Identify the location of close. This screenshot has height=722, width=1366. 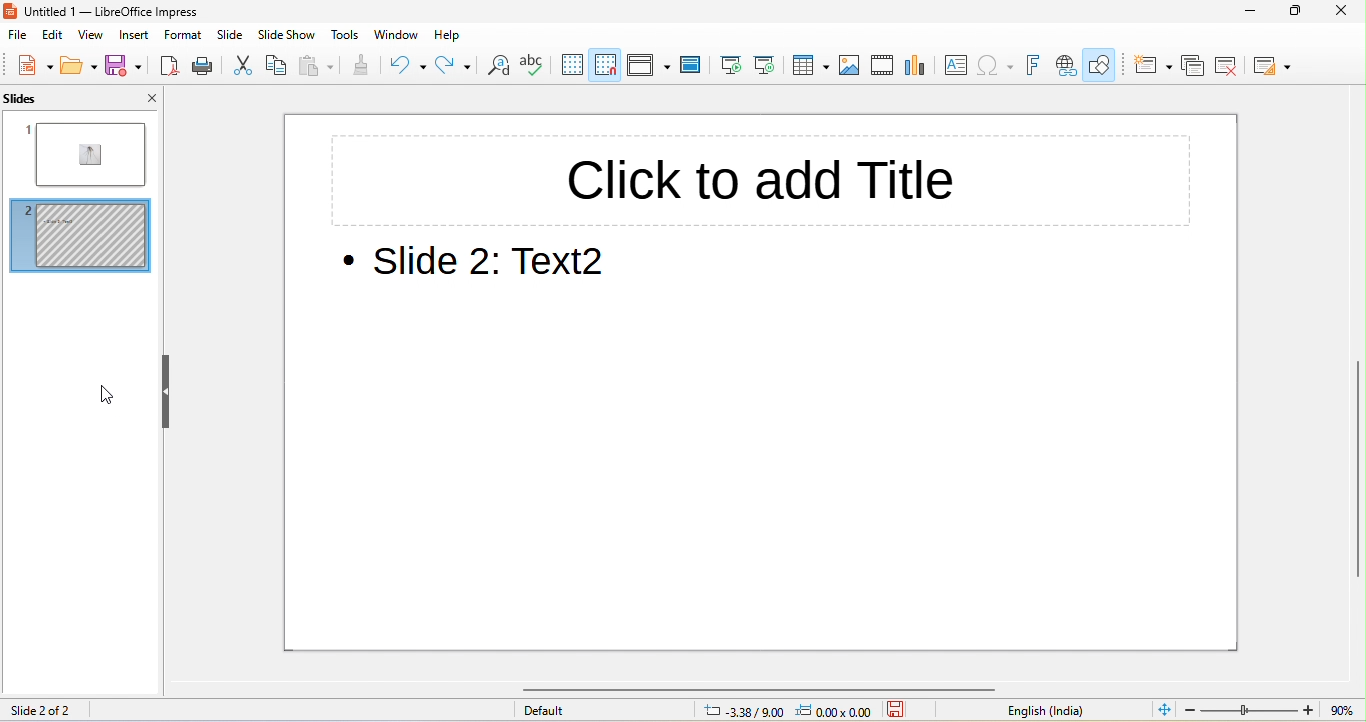
(144, 97).